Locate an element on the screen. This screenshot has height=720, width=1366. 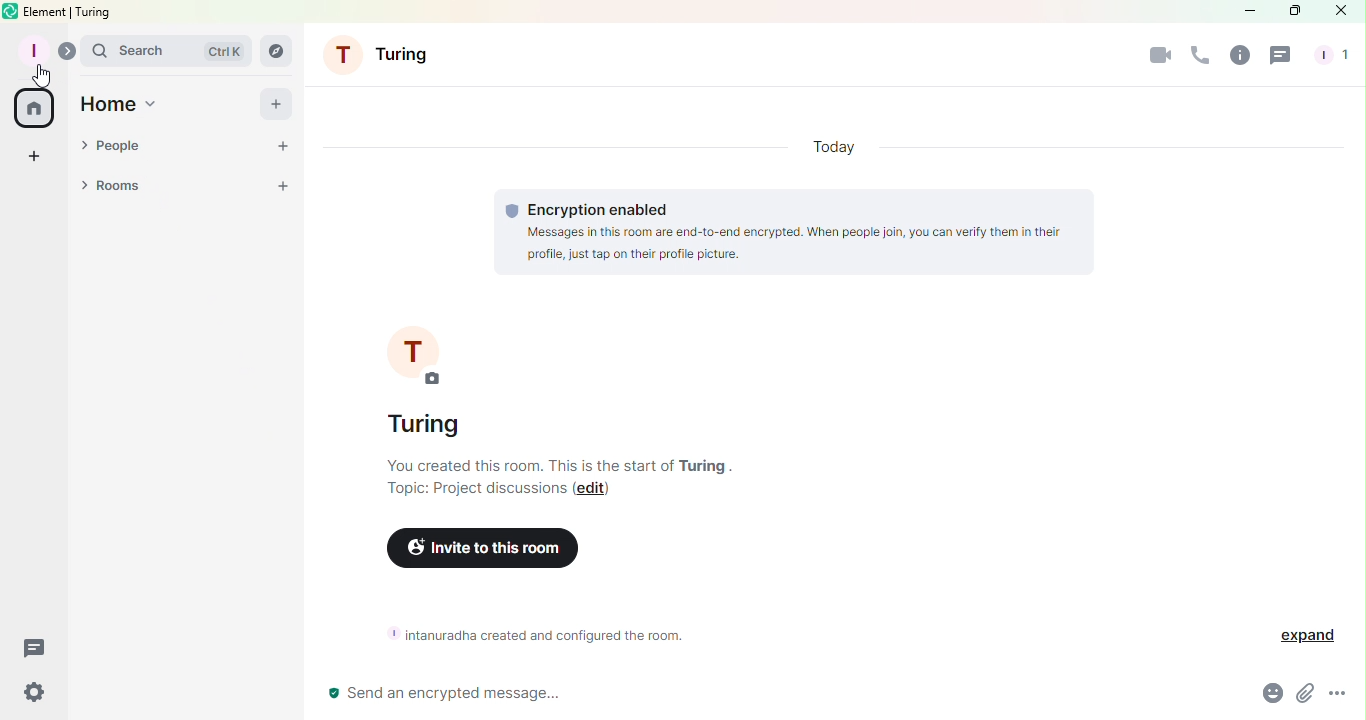
Topic is located at coordinates (477, 488).